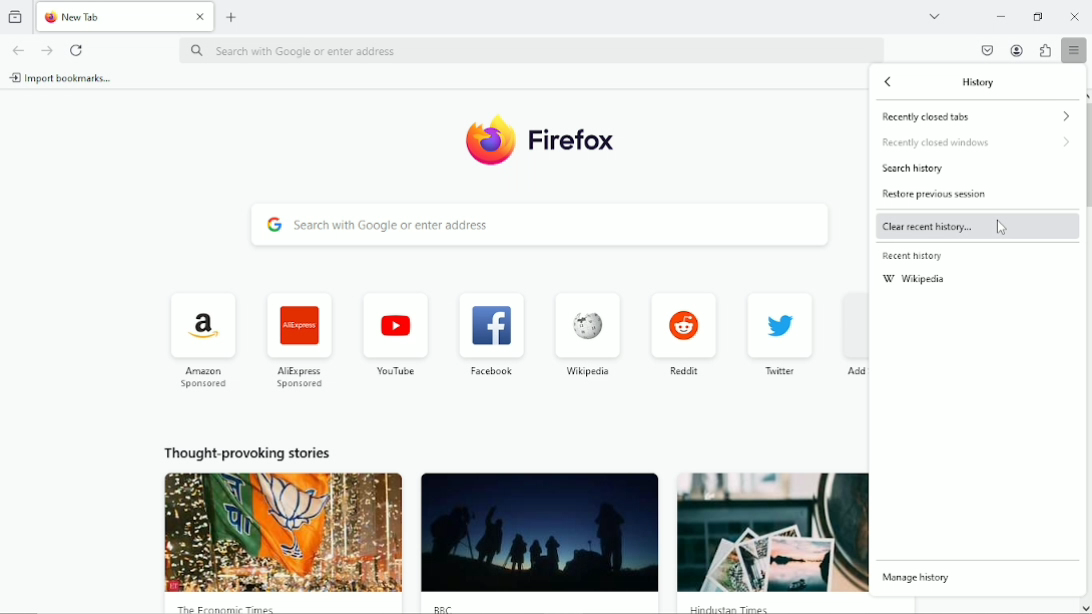 This screenshot has height=614, width=1092. Describe the element at coordinates (1075, 50) in the screenshot. I see `Open application menu` at that location.